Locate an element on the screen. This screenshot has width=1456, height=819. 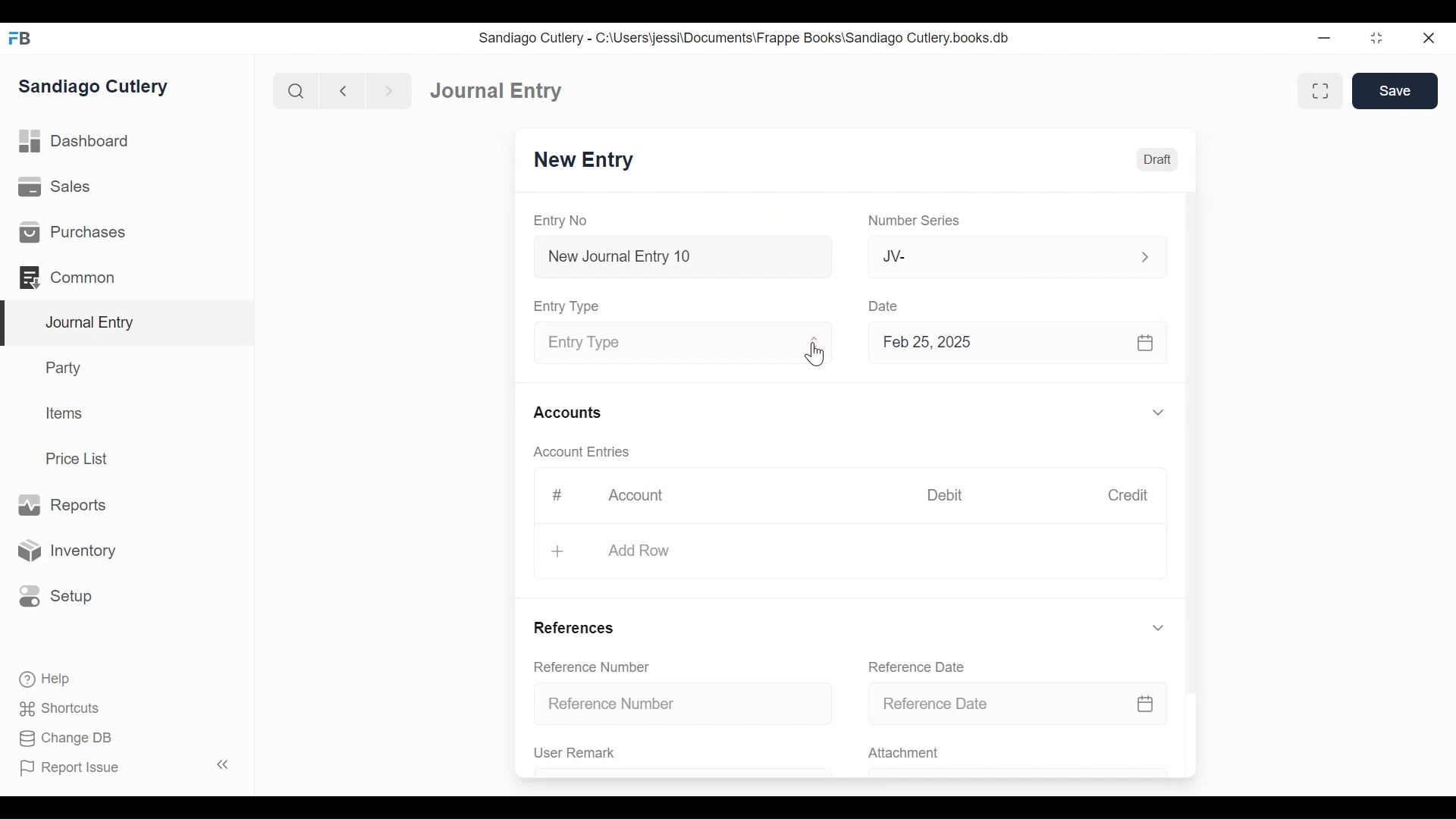
Debit is located at coordinates (951, 495).